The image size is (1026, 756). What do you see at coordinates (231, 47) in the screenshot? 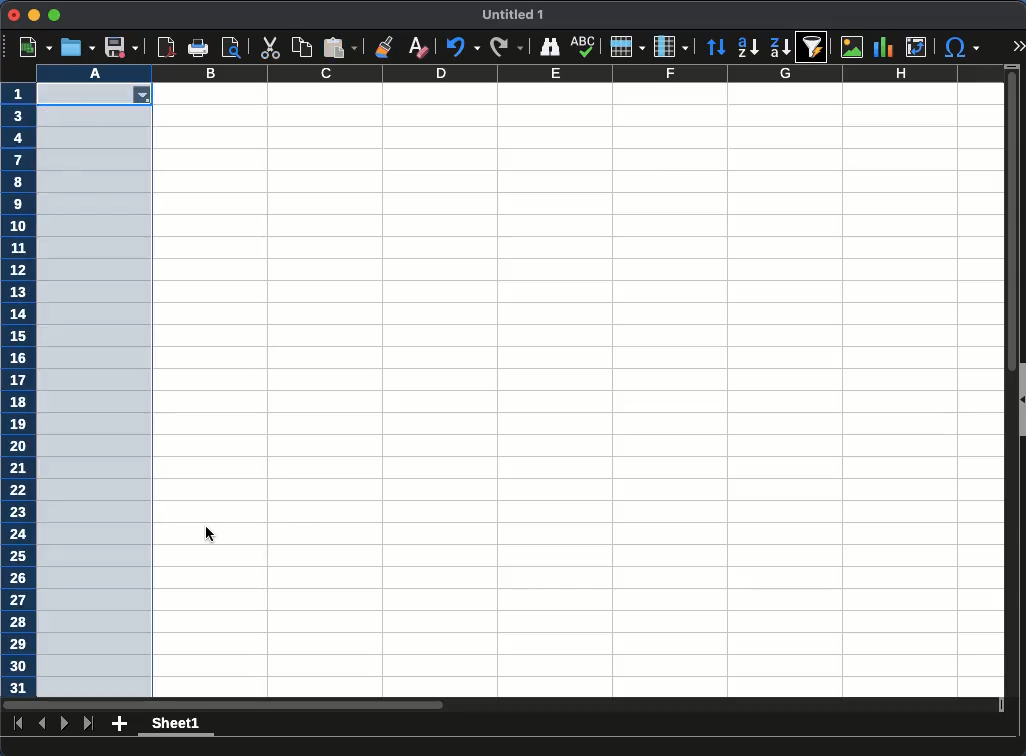
I see `print preview` at bounding box center [231, 47].